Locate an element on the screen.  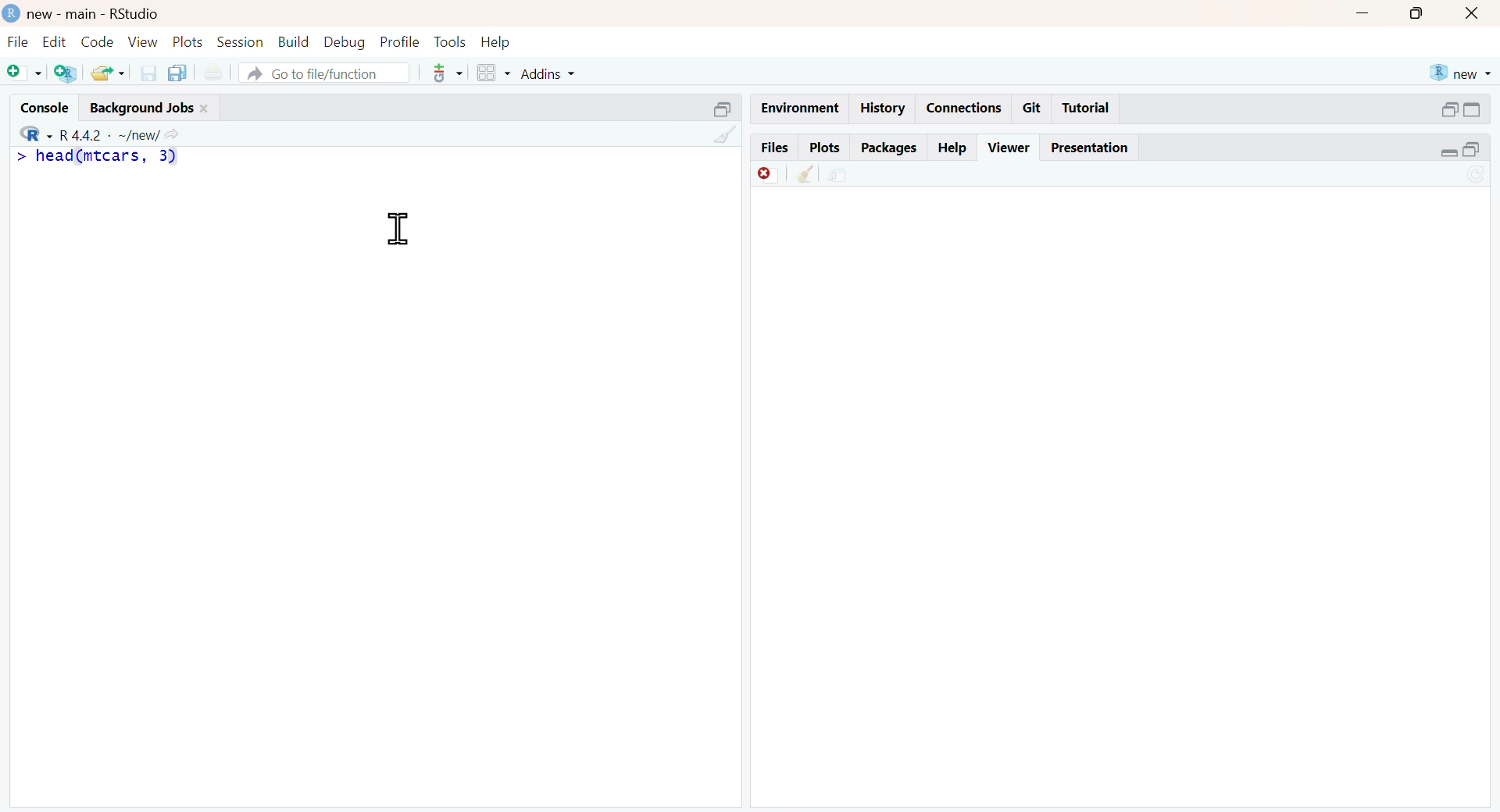
View is located at coordinates (142, 41).